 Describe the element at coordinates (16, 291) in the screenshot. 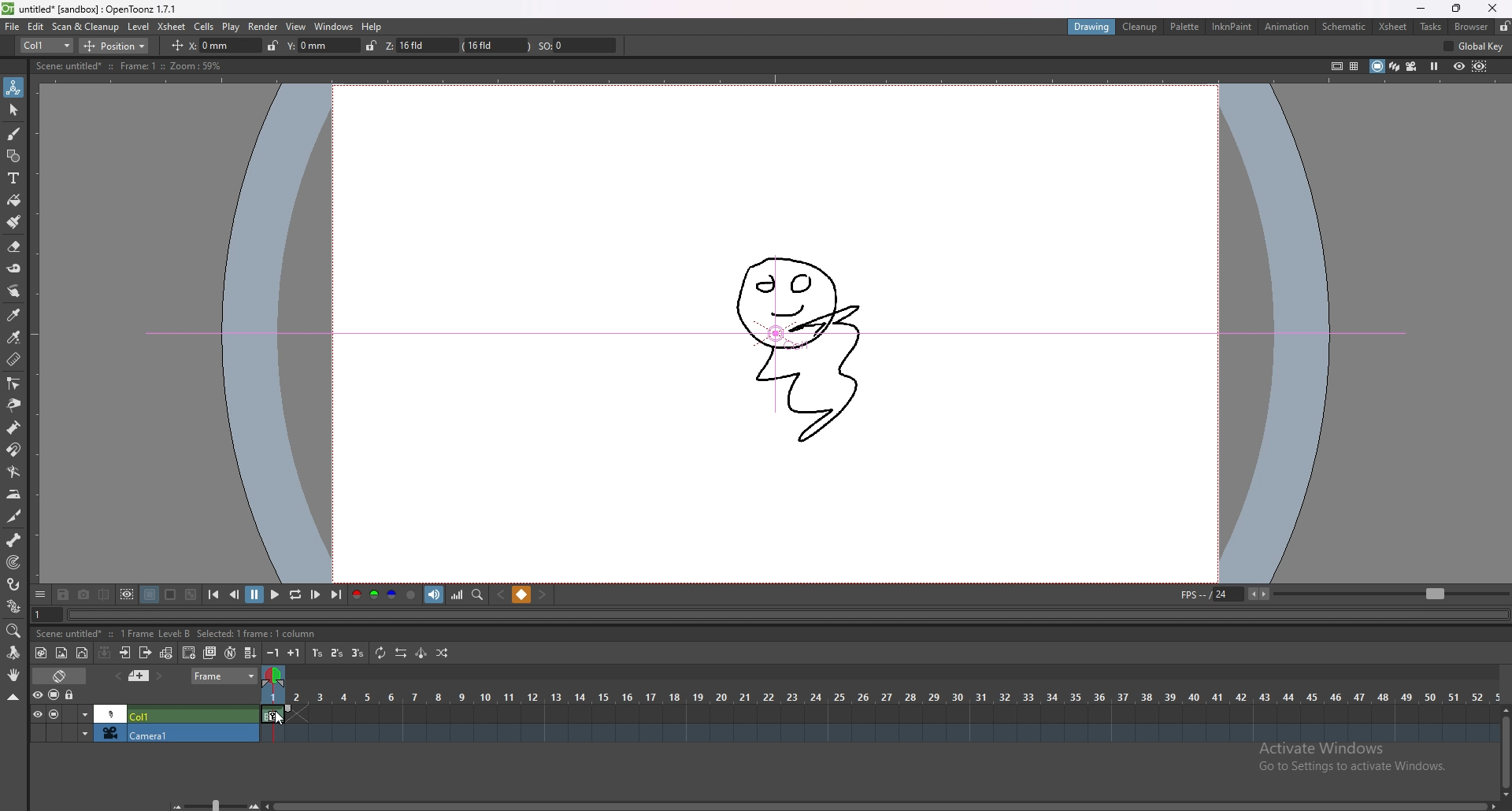

I see `finger` at that location.